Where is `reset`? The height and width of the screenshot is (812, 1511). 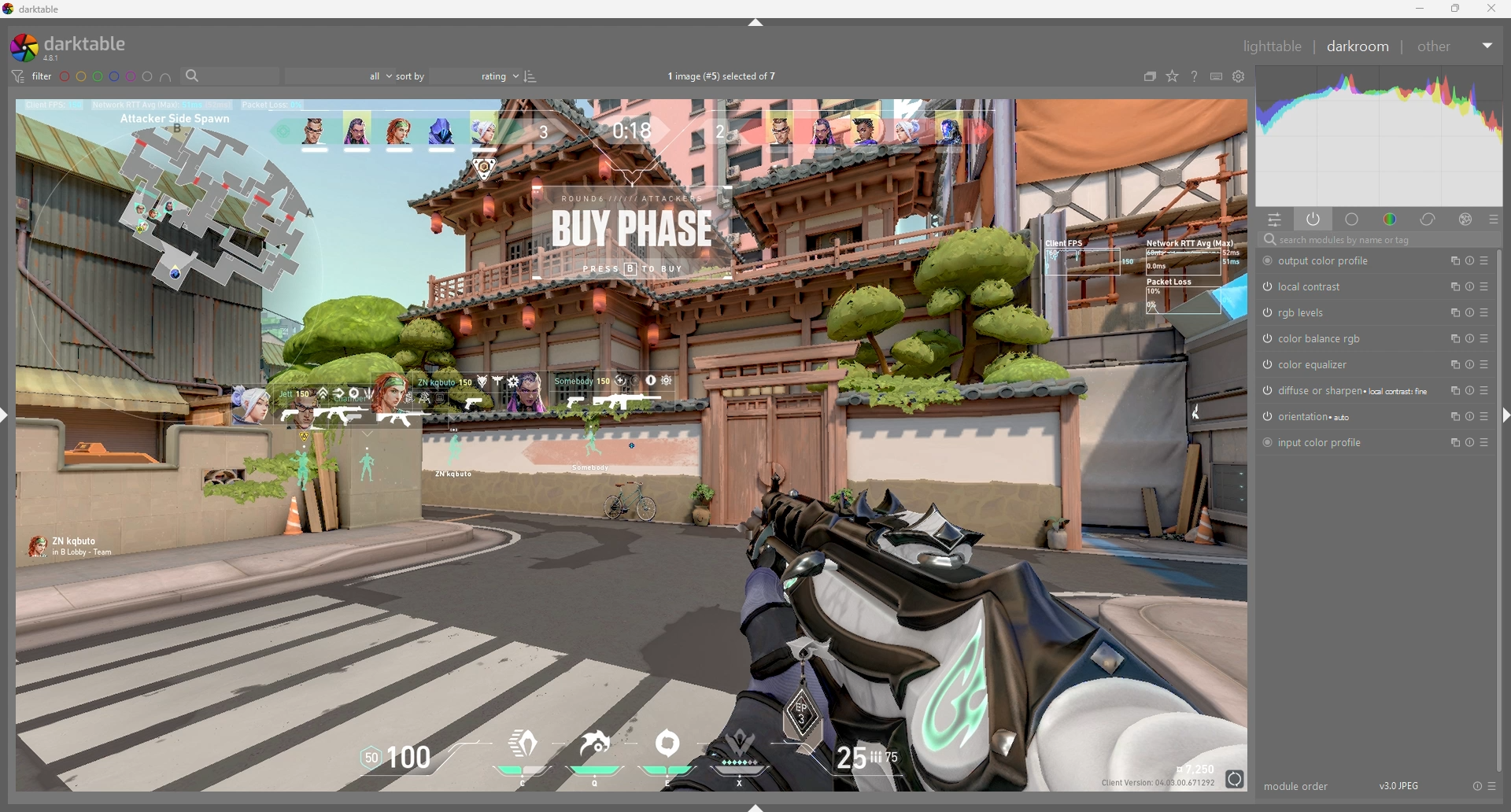
reset is located at coordinates (1469, 392).